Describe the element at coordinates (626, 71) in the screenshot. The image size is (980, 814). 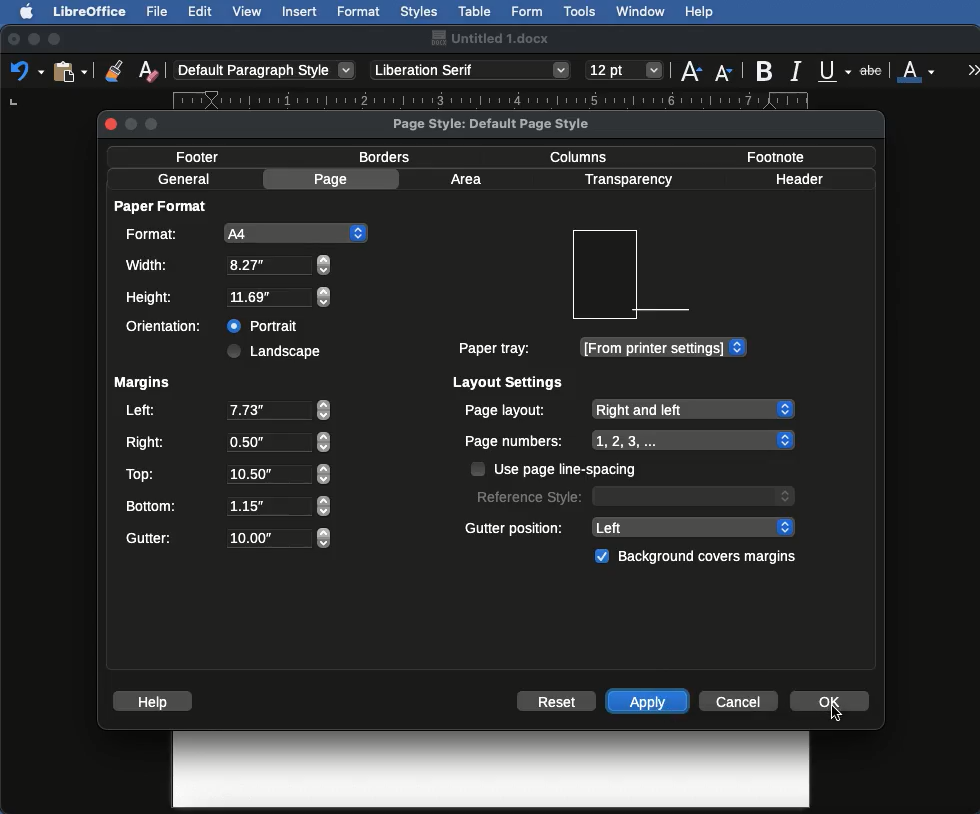
I see `Size` at that location.